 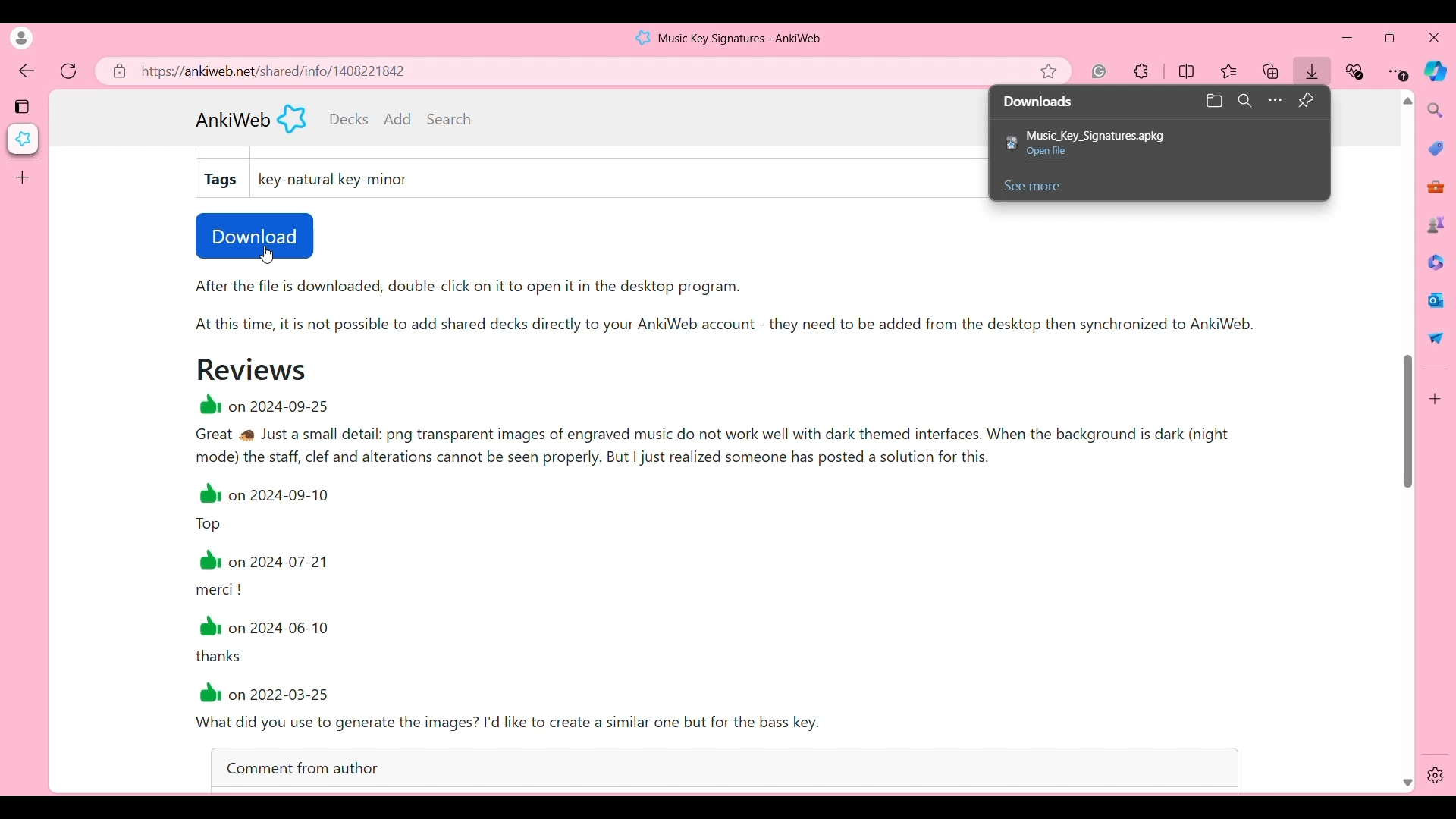 I want to click on Current decks, so click(x=349, y=119).